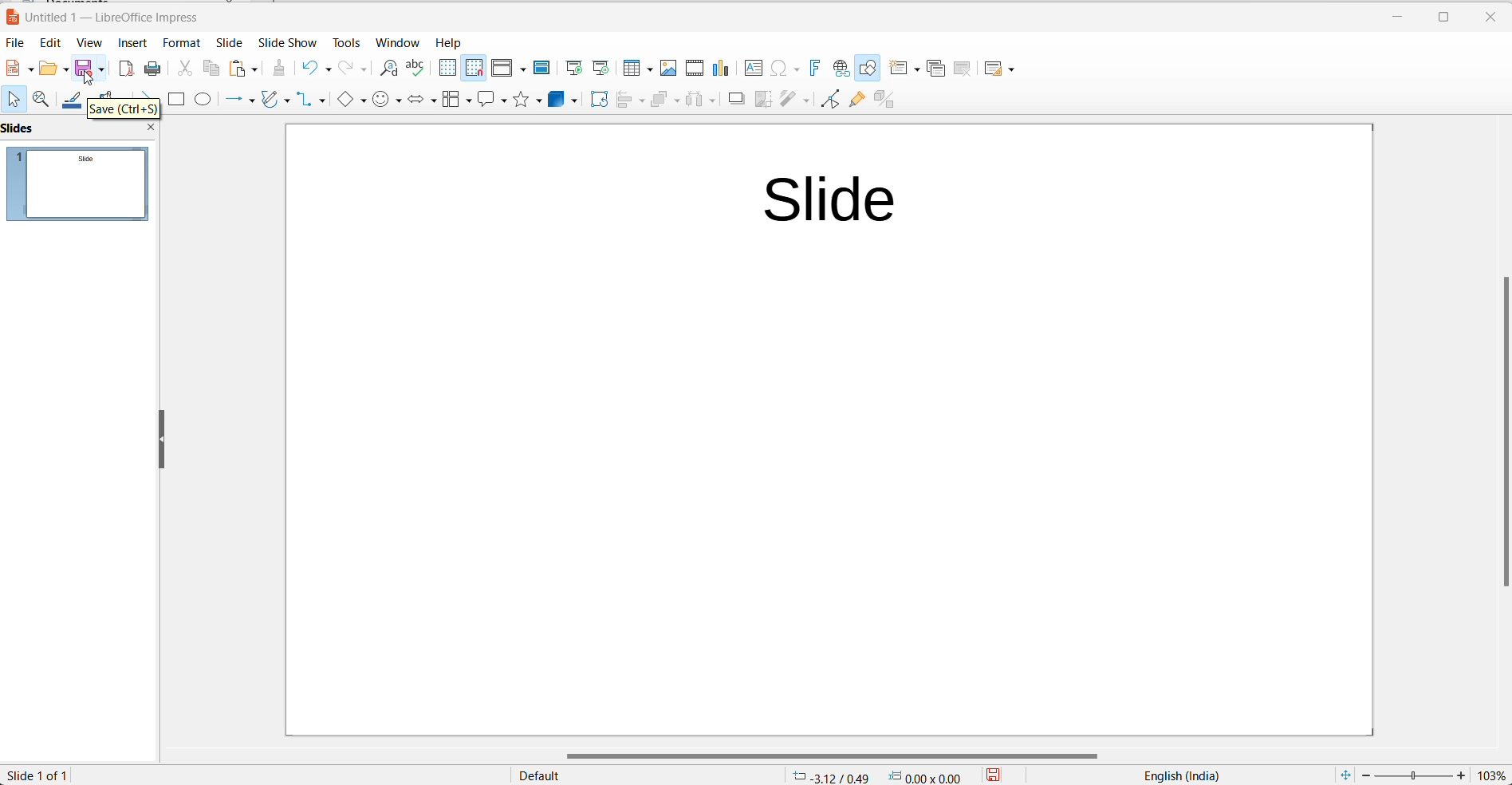 This screenshot has width=1512, height=785. Describe the element at coordinates (667, 68) in the screenshot. I see `insert images` at that location.